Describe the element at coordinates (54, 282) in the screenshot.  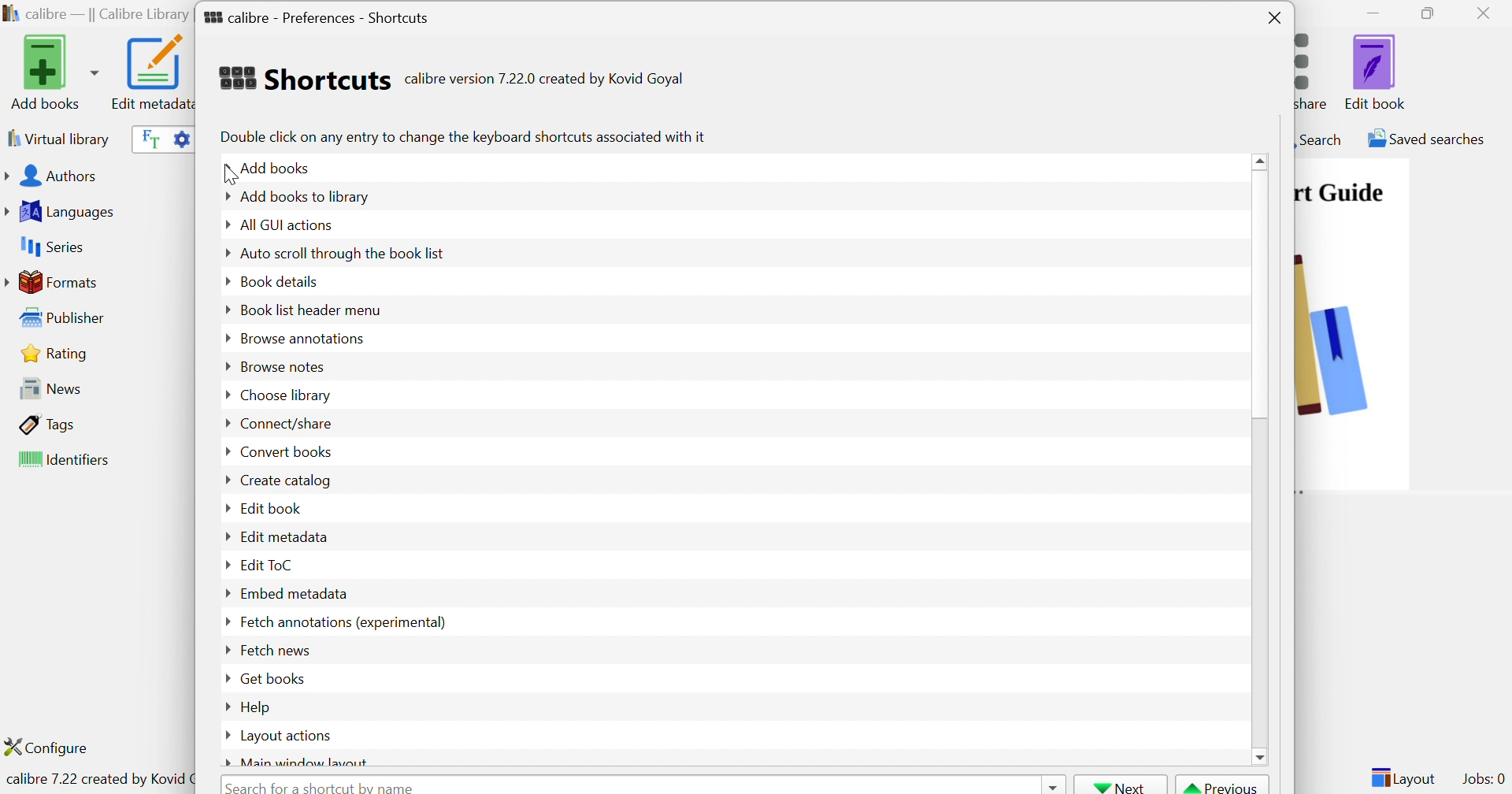
I see `Formats` at that location.